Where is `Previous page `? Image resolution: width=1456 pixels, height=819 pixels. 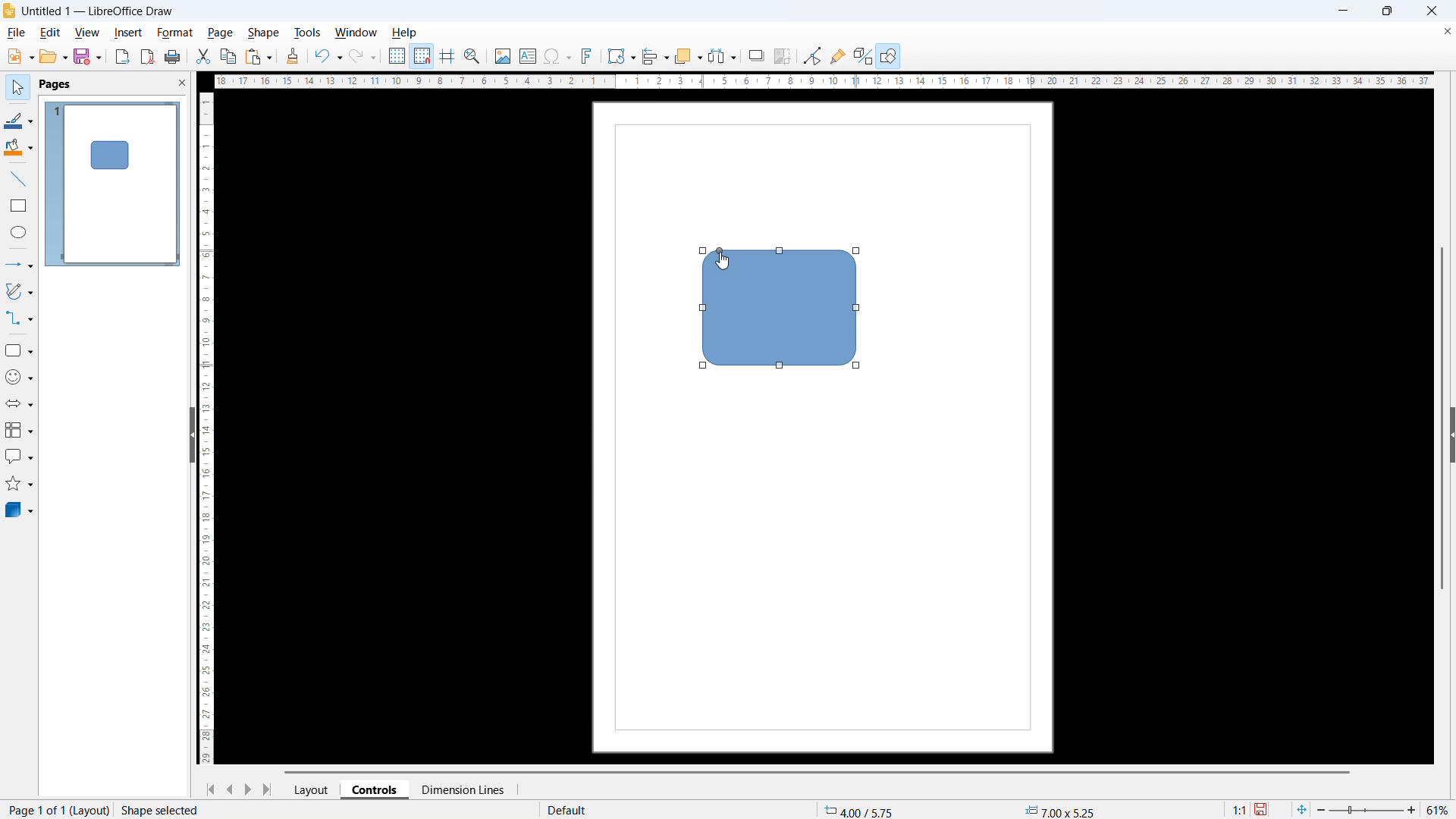
Previous page  is located at coordinates (230, 789).